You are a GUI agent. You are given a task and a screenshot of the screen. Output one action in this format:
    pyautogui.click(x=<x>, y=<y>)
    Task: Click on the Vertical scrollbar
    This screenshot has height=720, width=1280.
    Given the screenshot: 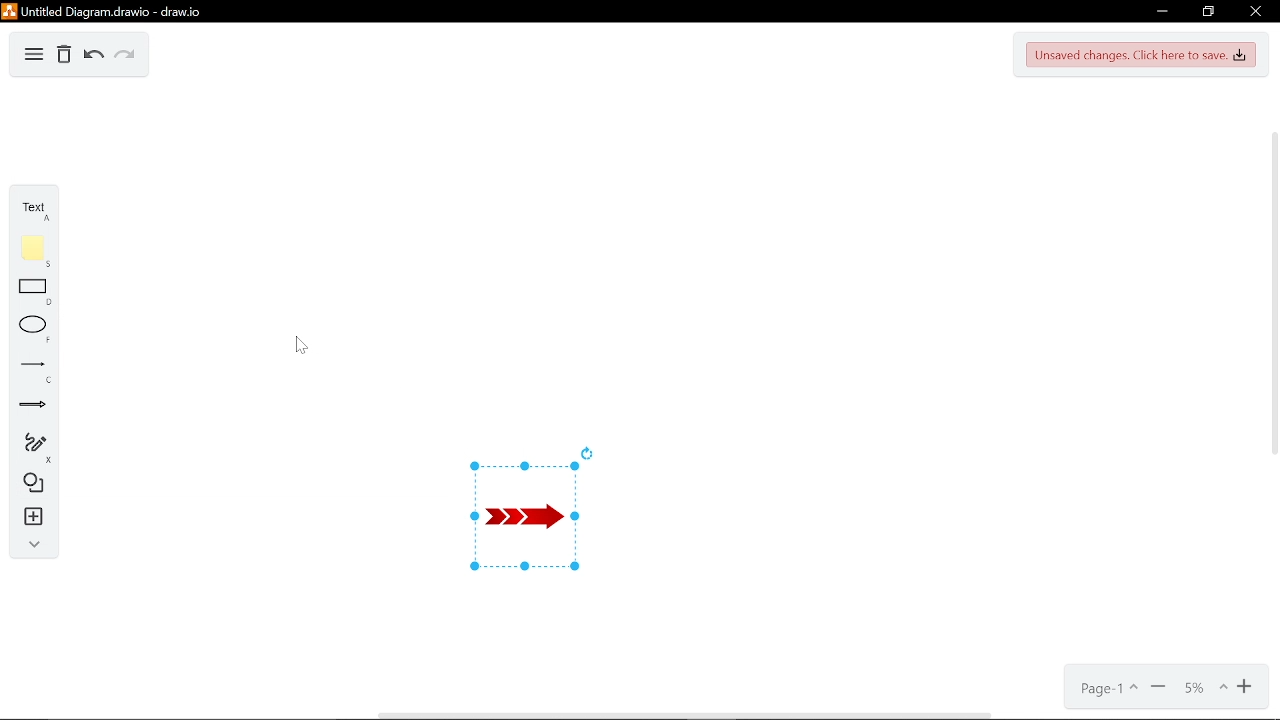 What is the action you would take?
    pyautogui.click(x=1272, y=360)
    